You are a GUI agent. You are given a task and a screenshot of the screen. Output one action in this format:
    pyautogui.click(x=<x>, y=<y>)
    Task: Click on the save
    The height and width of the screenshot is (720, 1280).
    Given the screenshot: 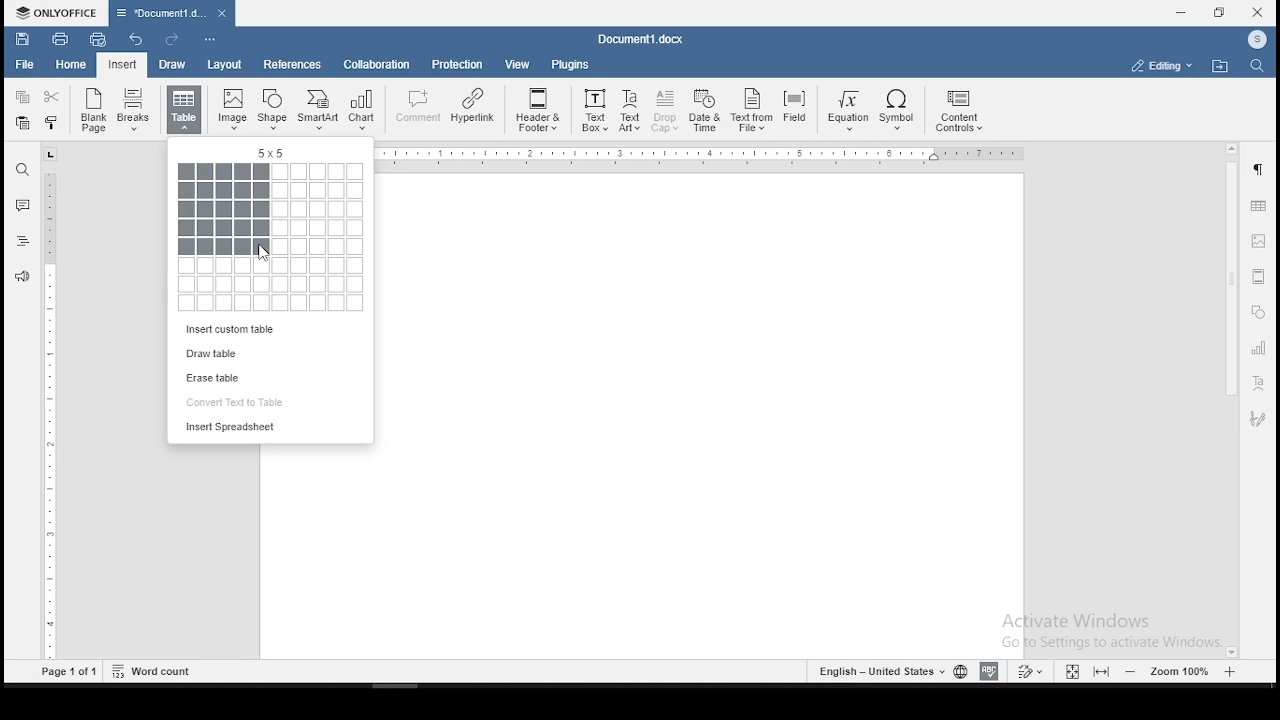 What is the action you would take?
    pyautogui.click(x=21, y=37)
    